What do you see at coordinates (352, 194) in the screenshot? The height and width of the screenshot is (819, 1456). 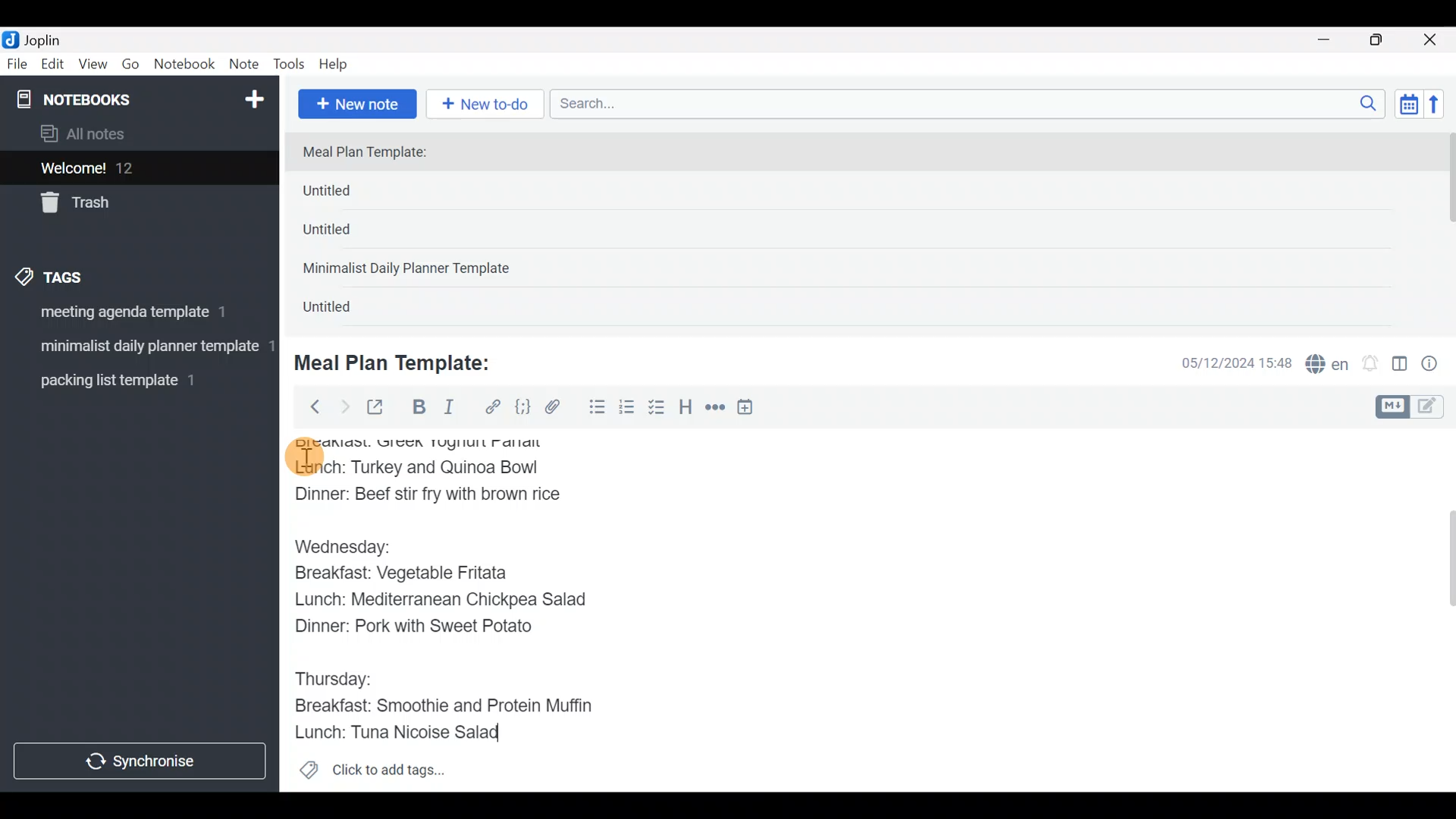 I see `Untitled` at bounding box center [352, 194].